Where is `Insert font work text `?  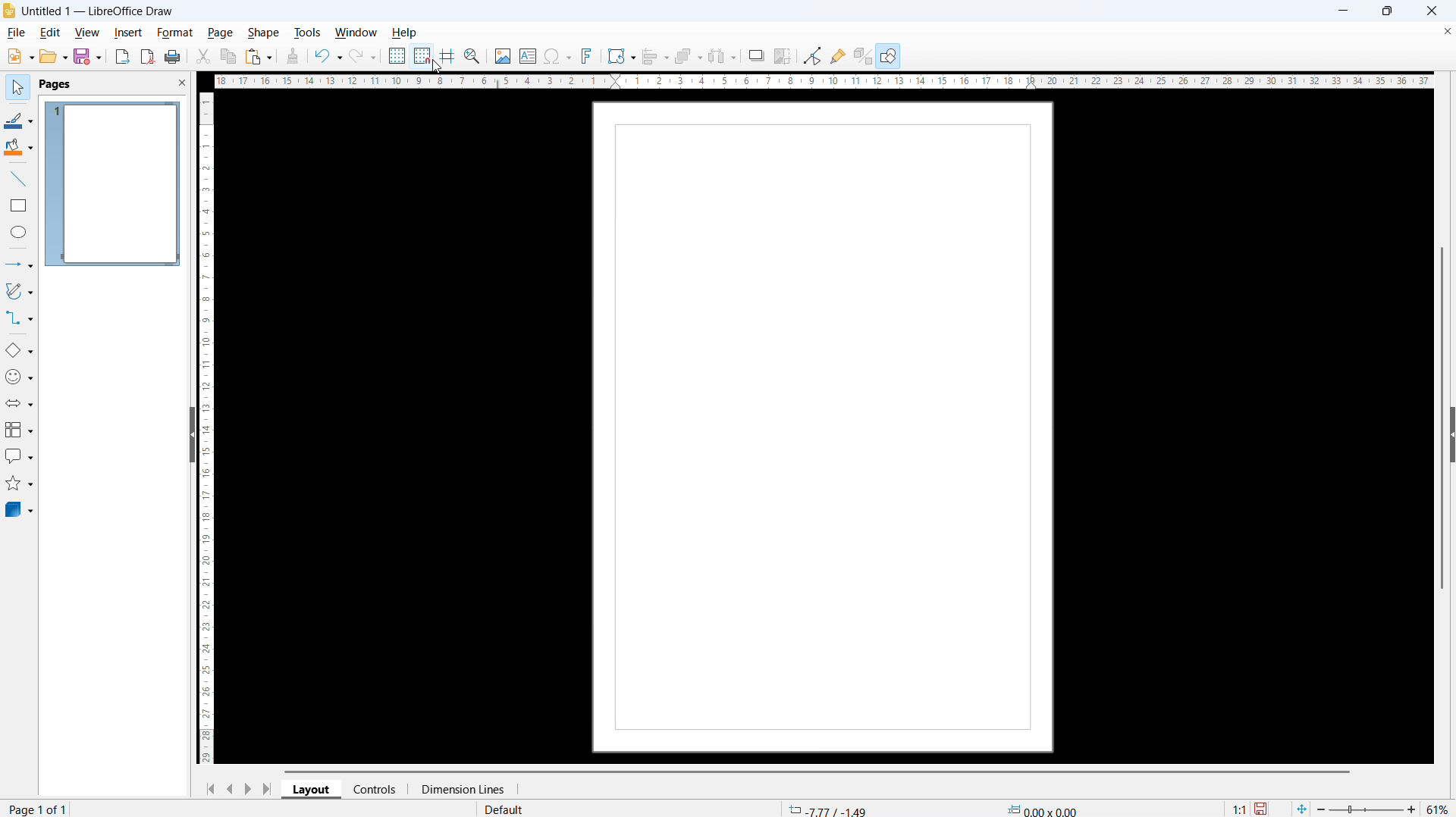 Insert font work text  is located at coordinates (588, 56).